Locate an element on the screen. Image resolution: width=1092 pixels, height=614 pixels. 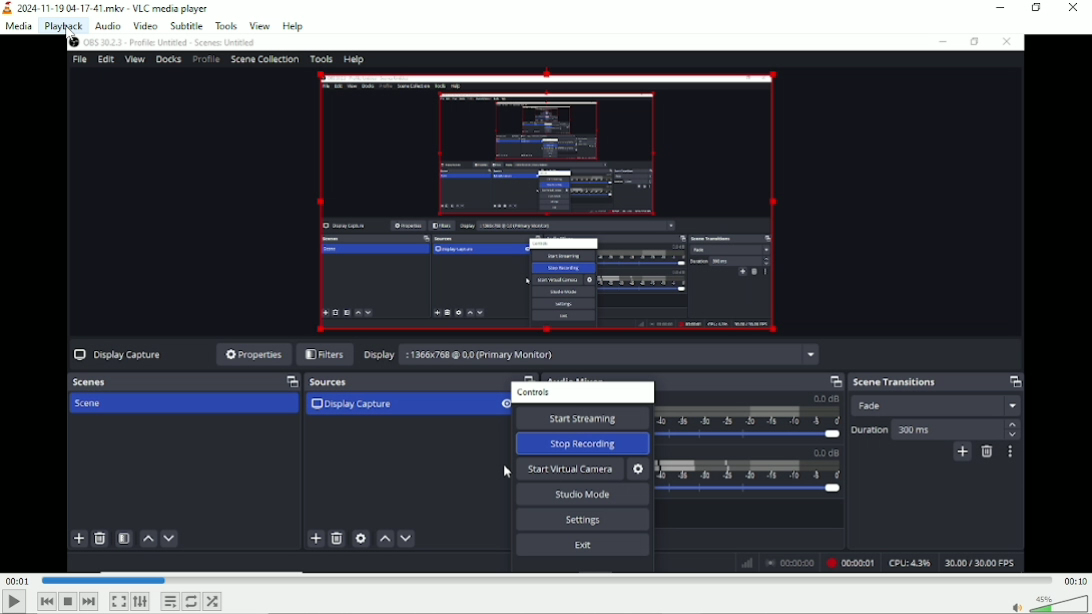
total duration is located at coordinates (1074, 579).